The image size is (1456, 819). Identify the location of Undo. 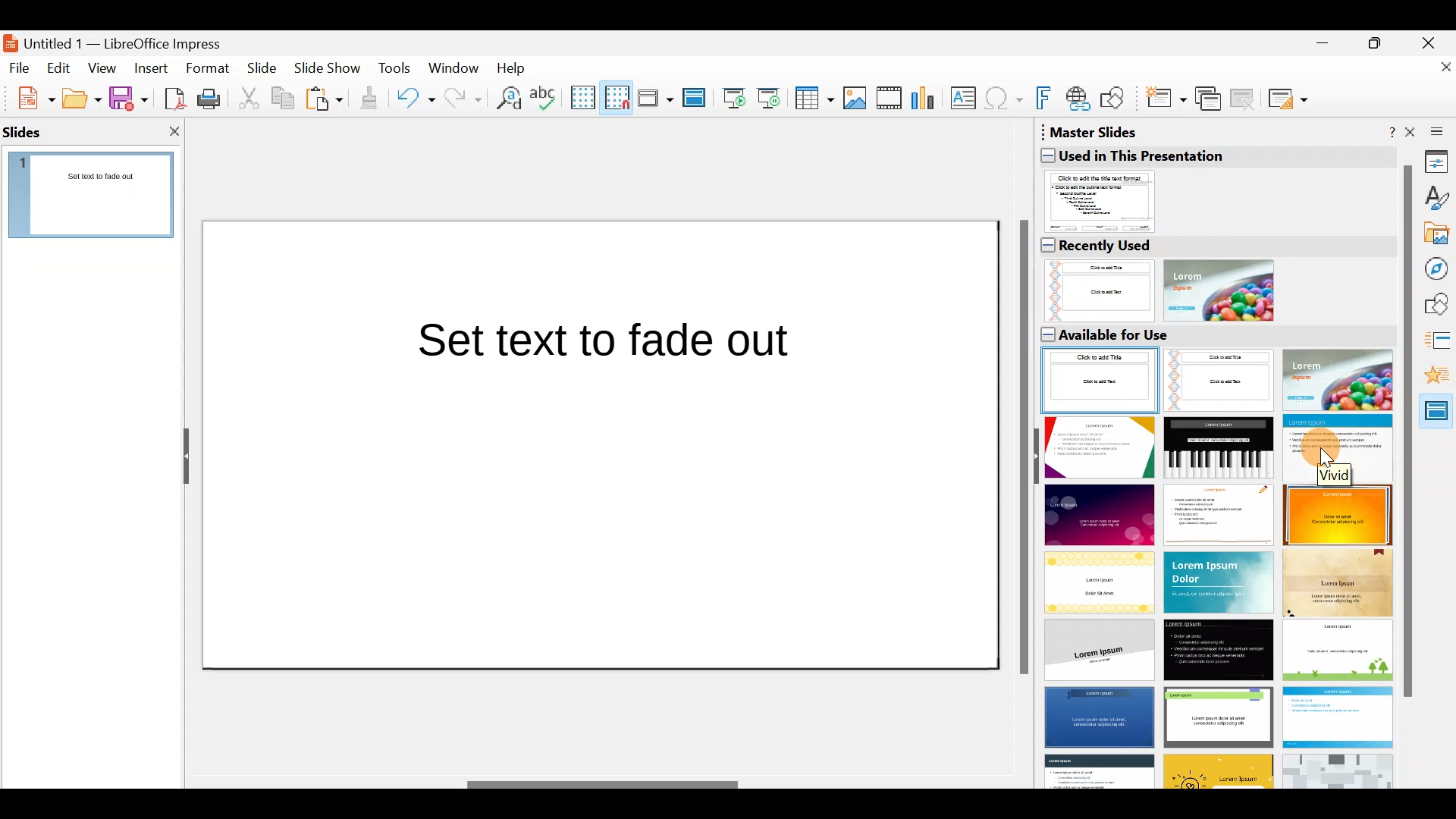
(416, 101).